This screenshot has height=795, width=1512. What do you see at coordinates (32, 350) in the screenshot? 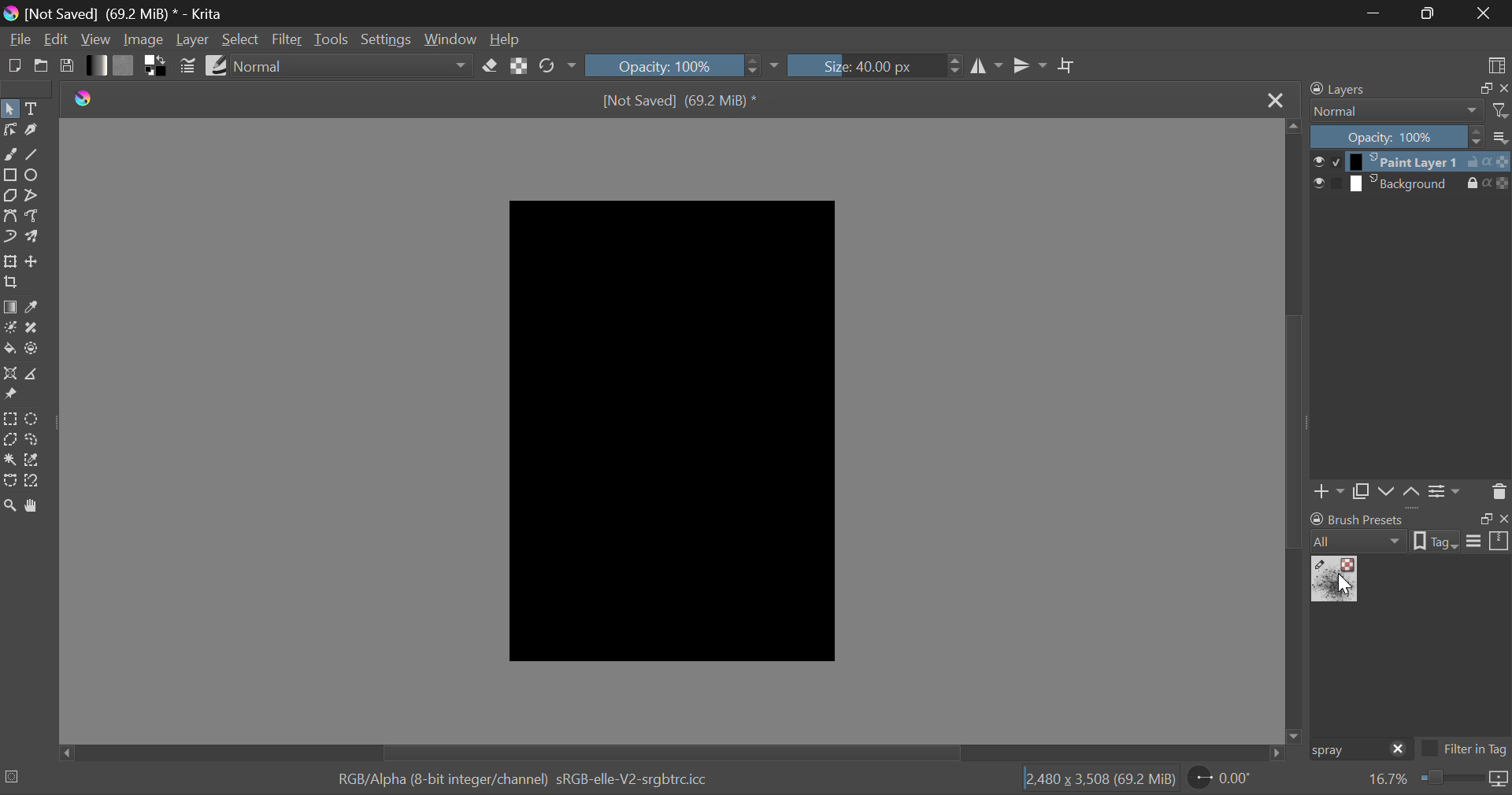
I see `Enclose and Fill` at bounding box center [32, 350].